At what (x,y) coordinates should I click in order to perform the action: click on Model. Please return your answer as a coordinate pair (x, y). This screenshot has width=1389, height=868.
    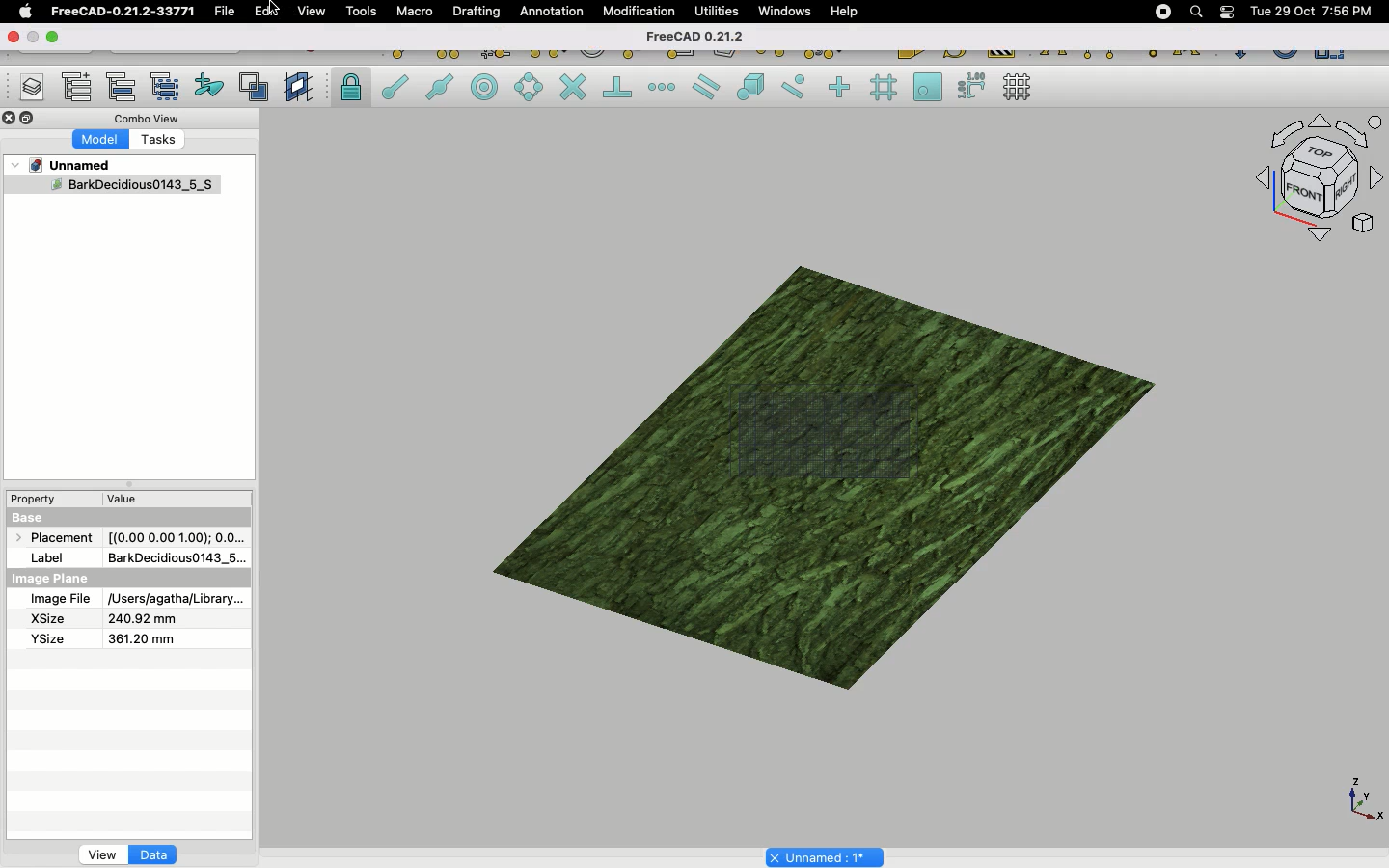
    Looking at the image, I should click on (101, 140).